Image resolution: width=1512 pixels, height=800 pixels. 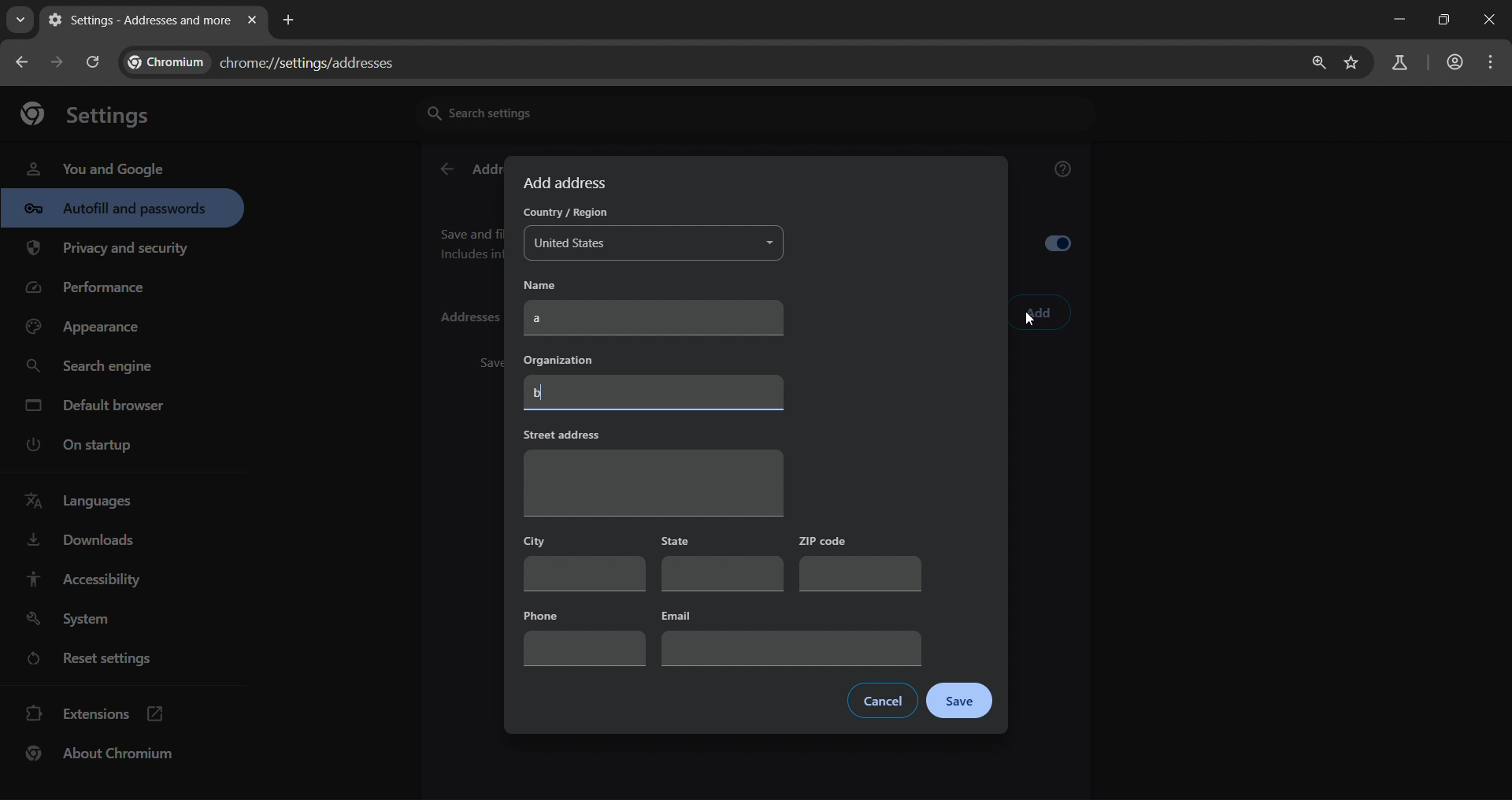 I want to click on zip code, so click(x=856, y=562).